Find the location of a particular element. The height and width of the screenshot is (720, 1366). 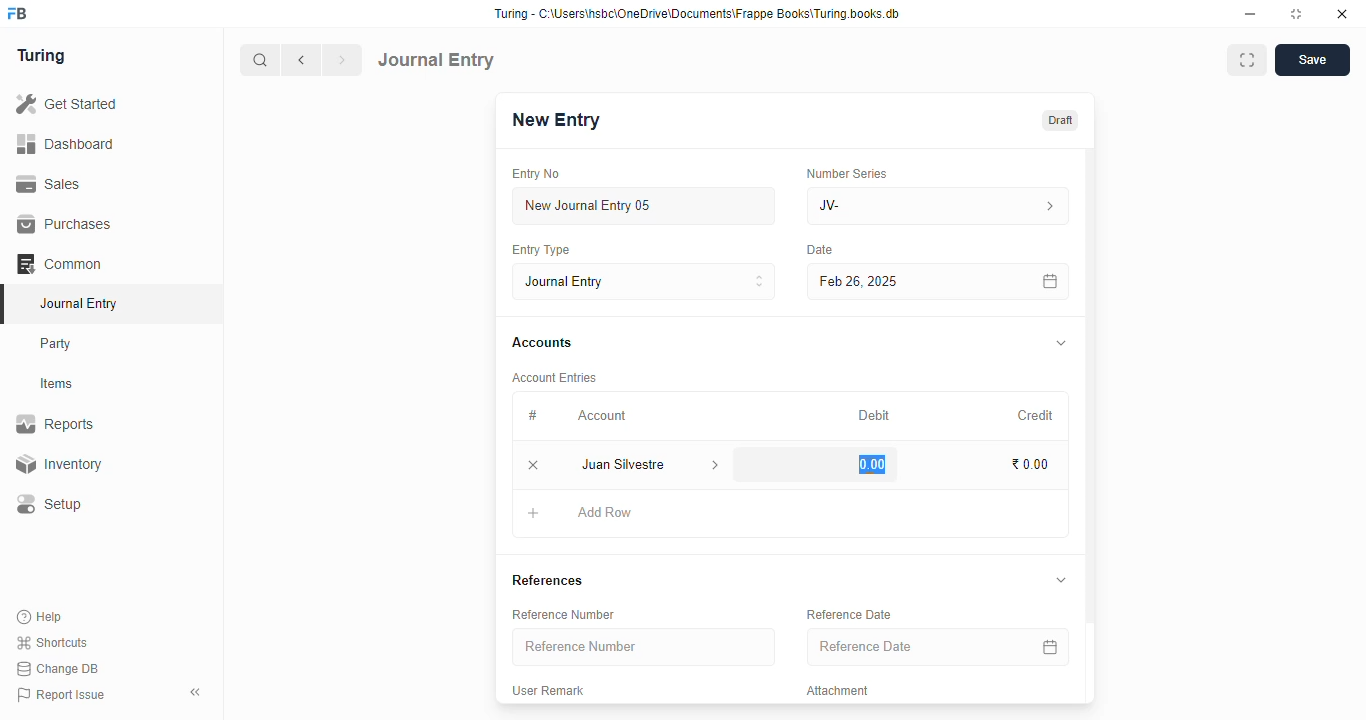

entry no is located at coordinates (537, 174).